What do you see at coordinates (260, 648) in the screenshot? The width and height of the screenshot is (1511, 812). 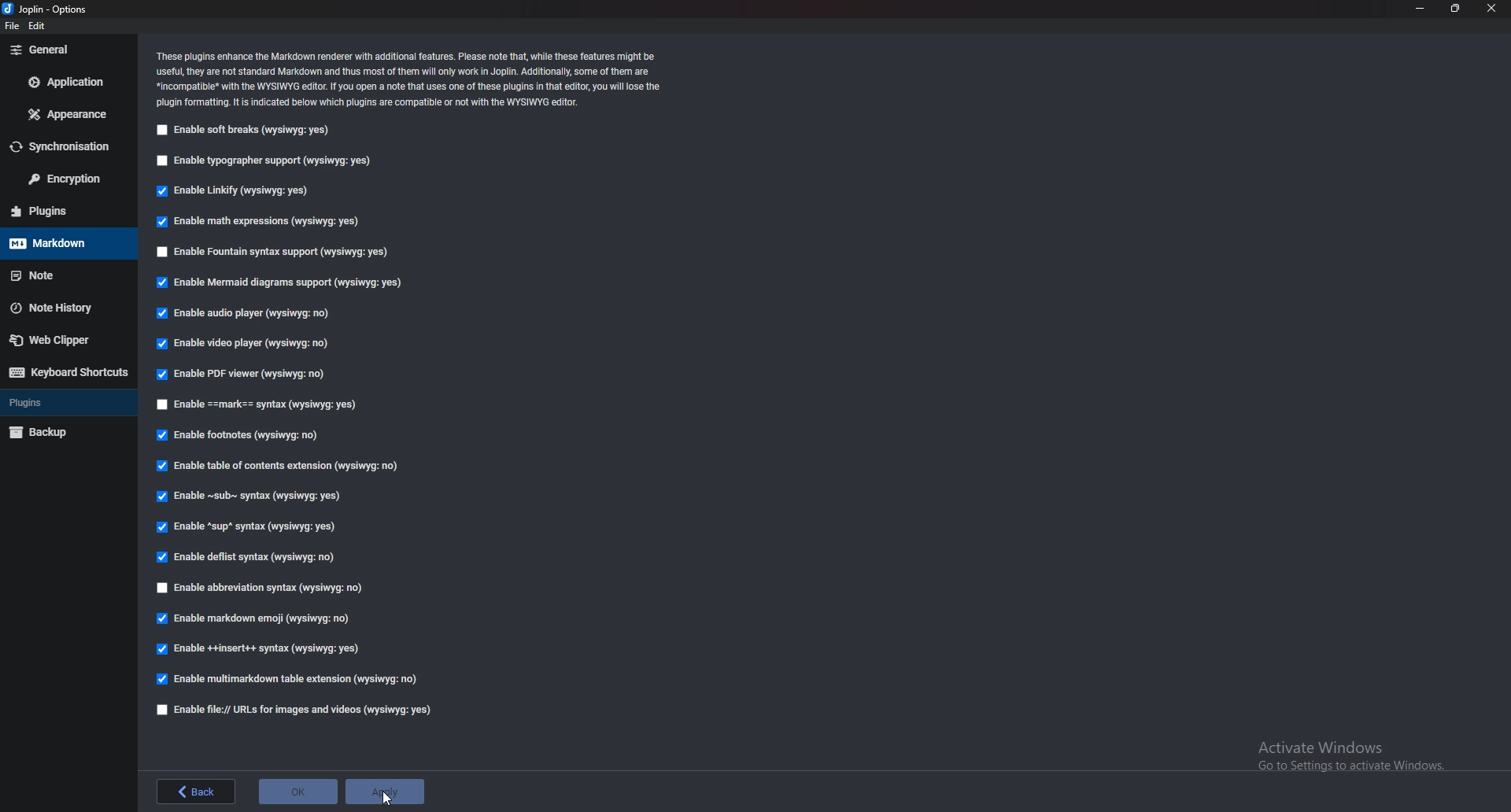 I see `Enable insert syntax` at bounding box center [260, 648].